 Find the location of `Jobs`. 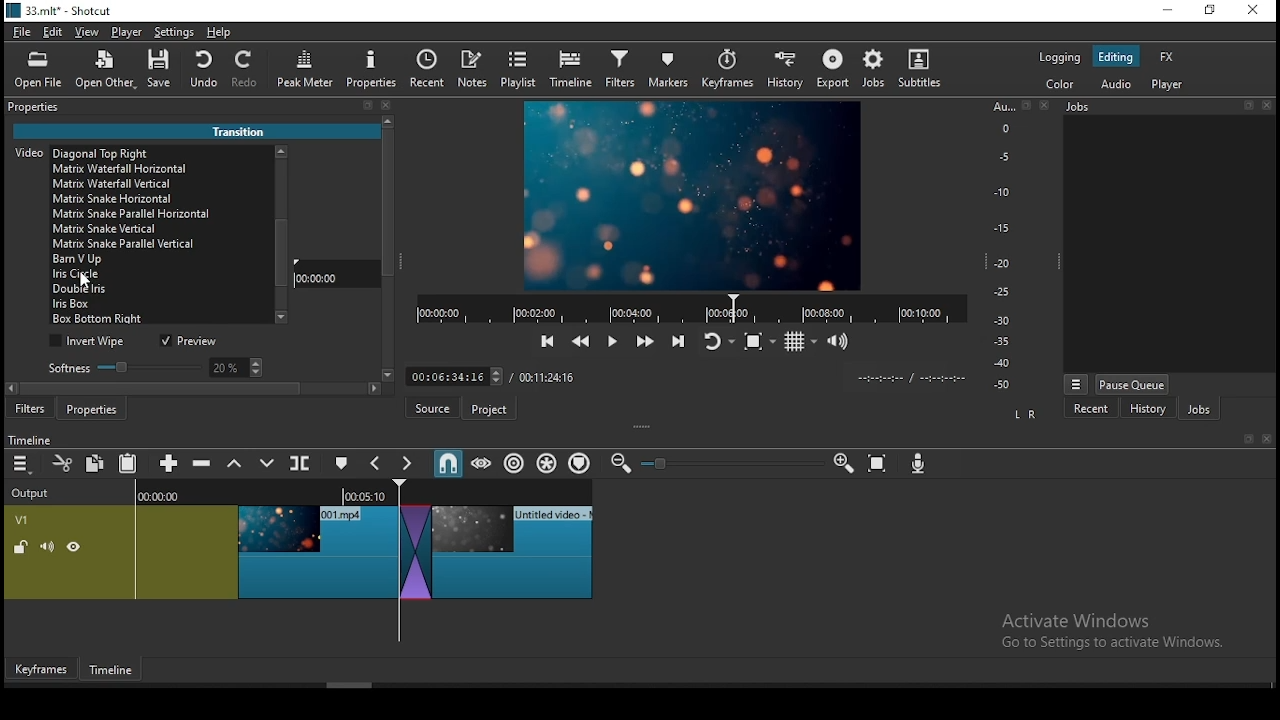

Jobs is located at coordinates (1086, 110).